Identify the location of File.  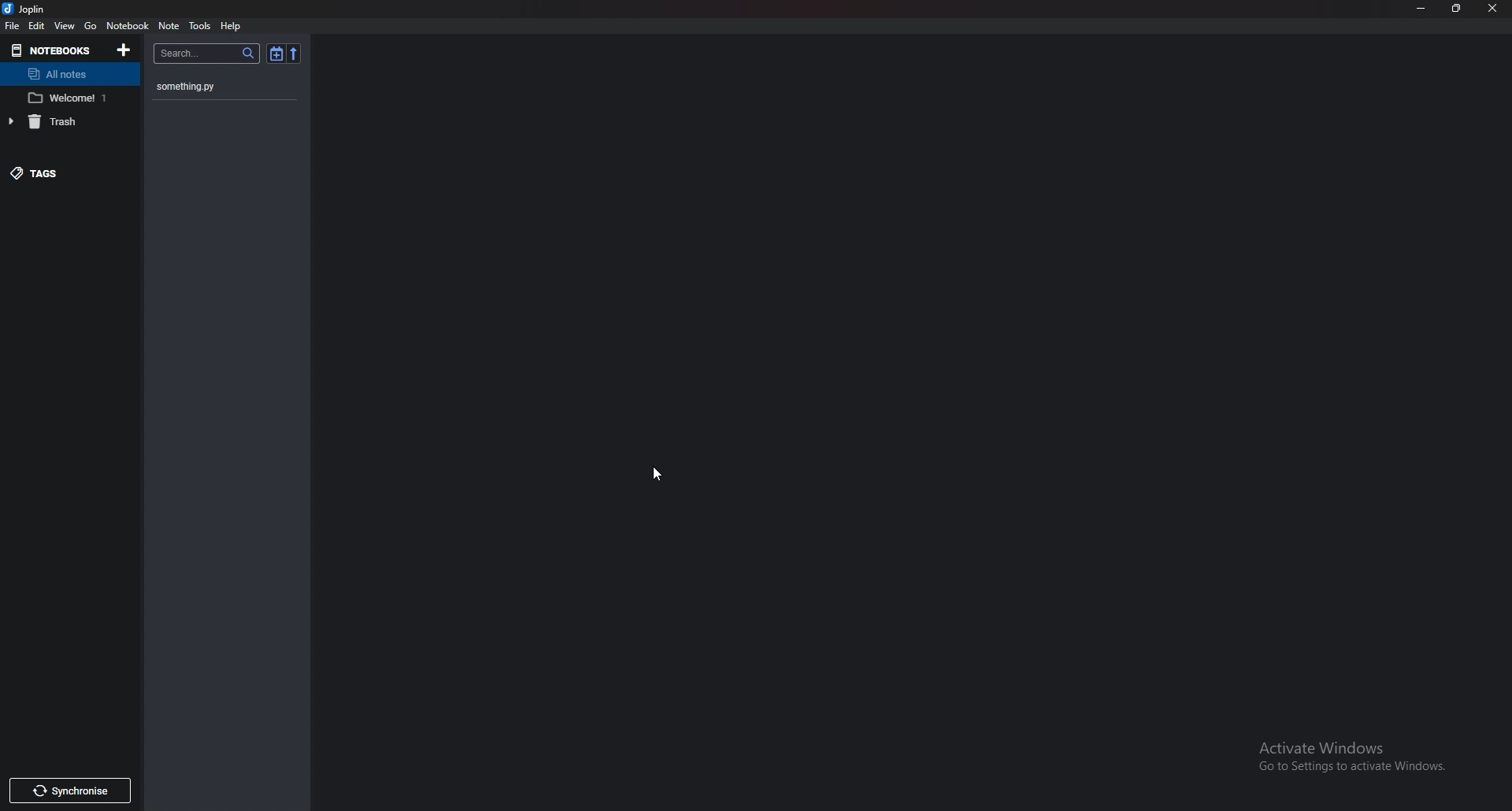
(13, 26).